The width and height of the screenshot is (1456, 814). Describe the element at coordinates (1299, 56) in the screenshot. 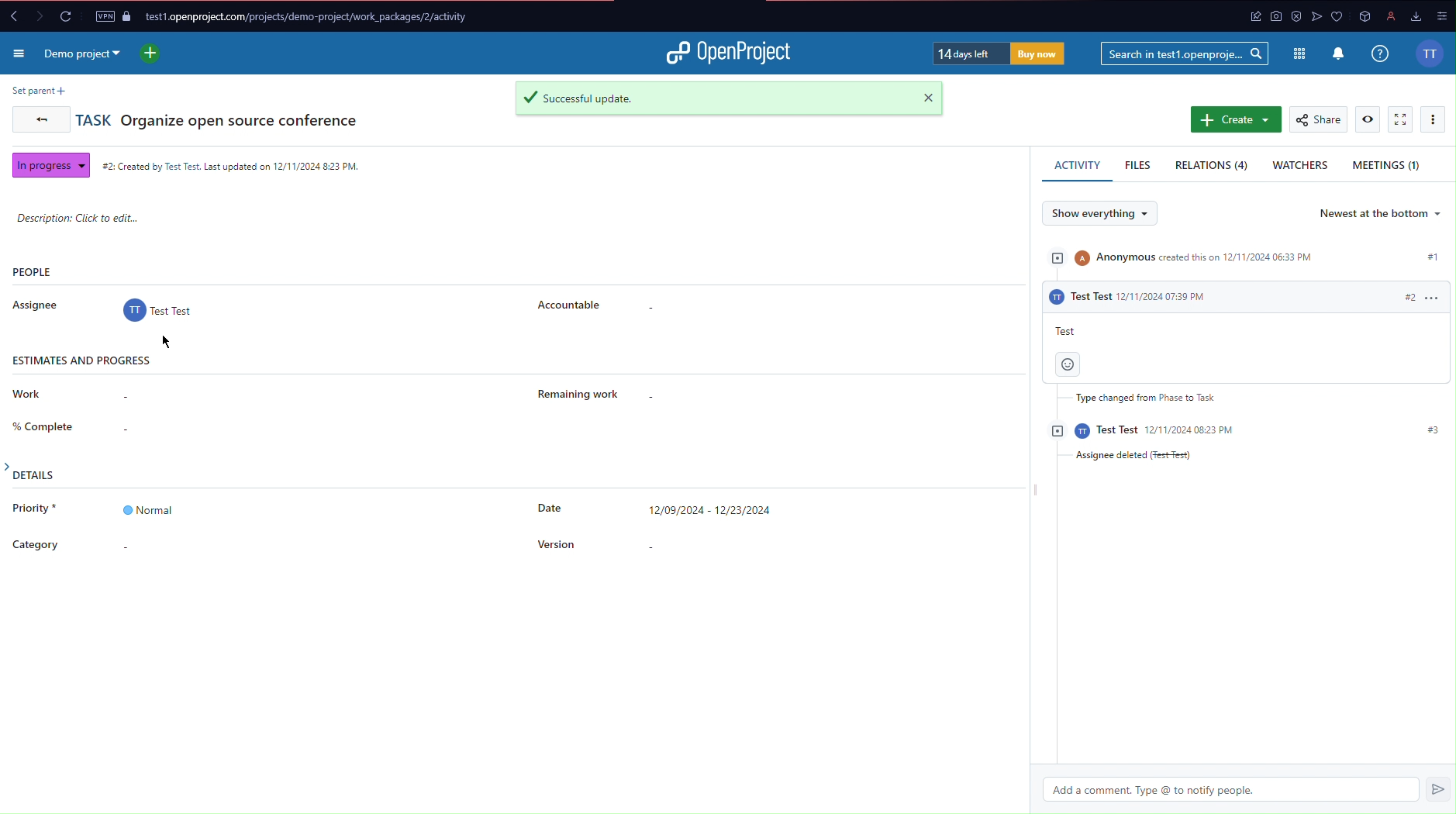

I see `Modules` at that location.